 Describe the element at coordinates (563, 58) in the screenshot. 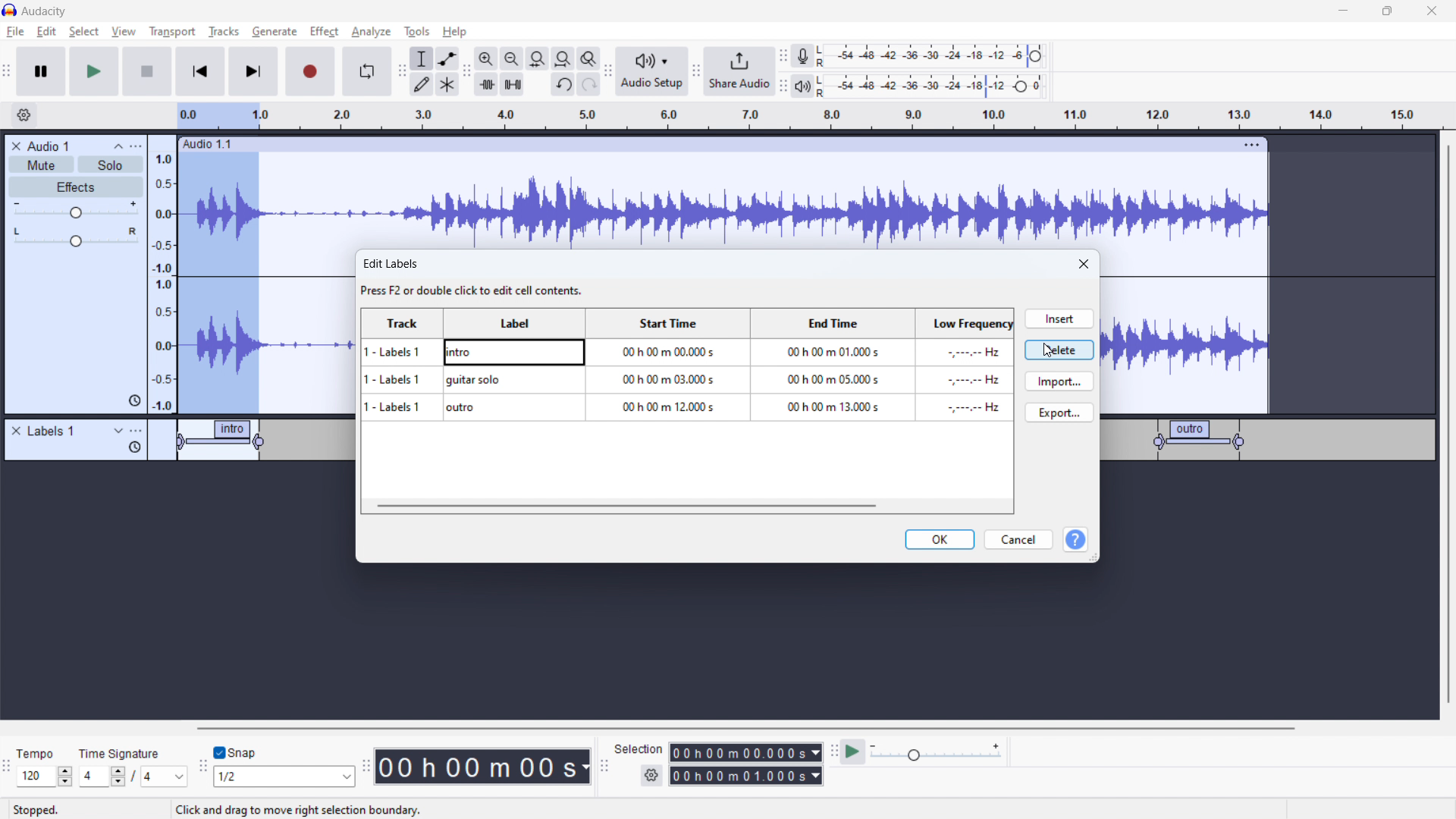

I see `set project to width` at that location.